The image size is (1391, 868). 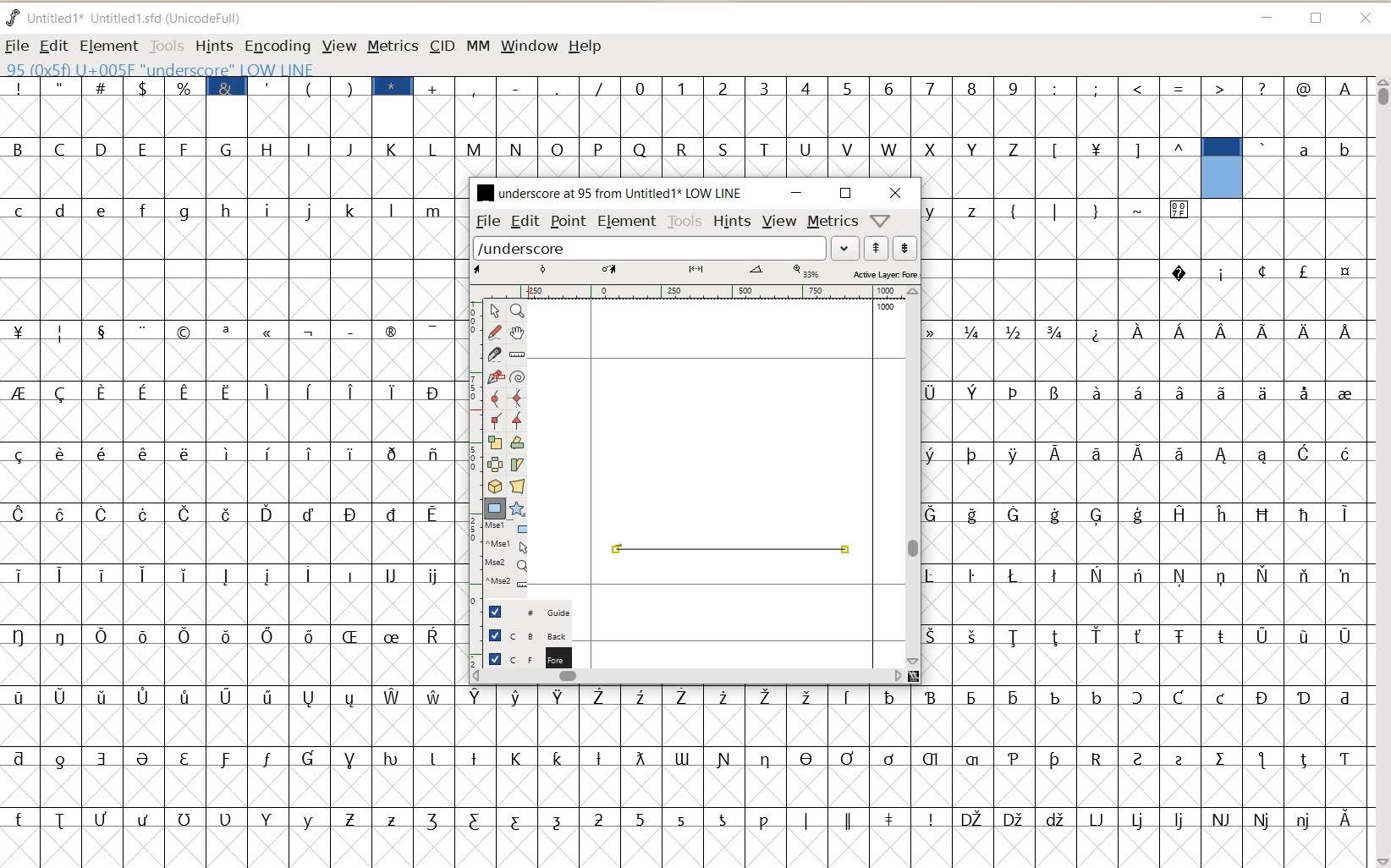 I want to click on draw a freehand curve, so click(x=496, y=332).